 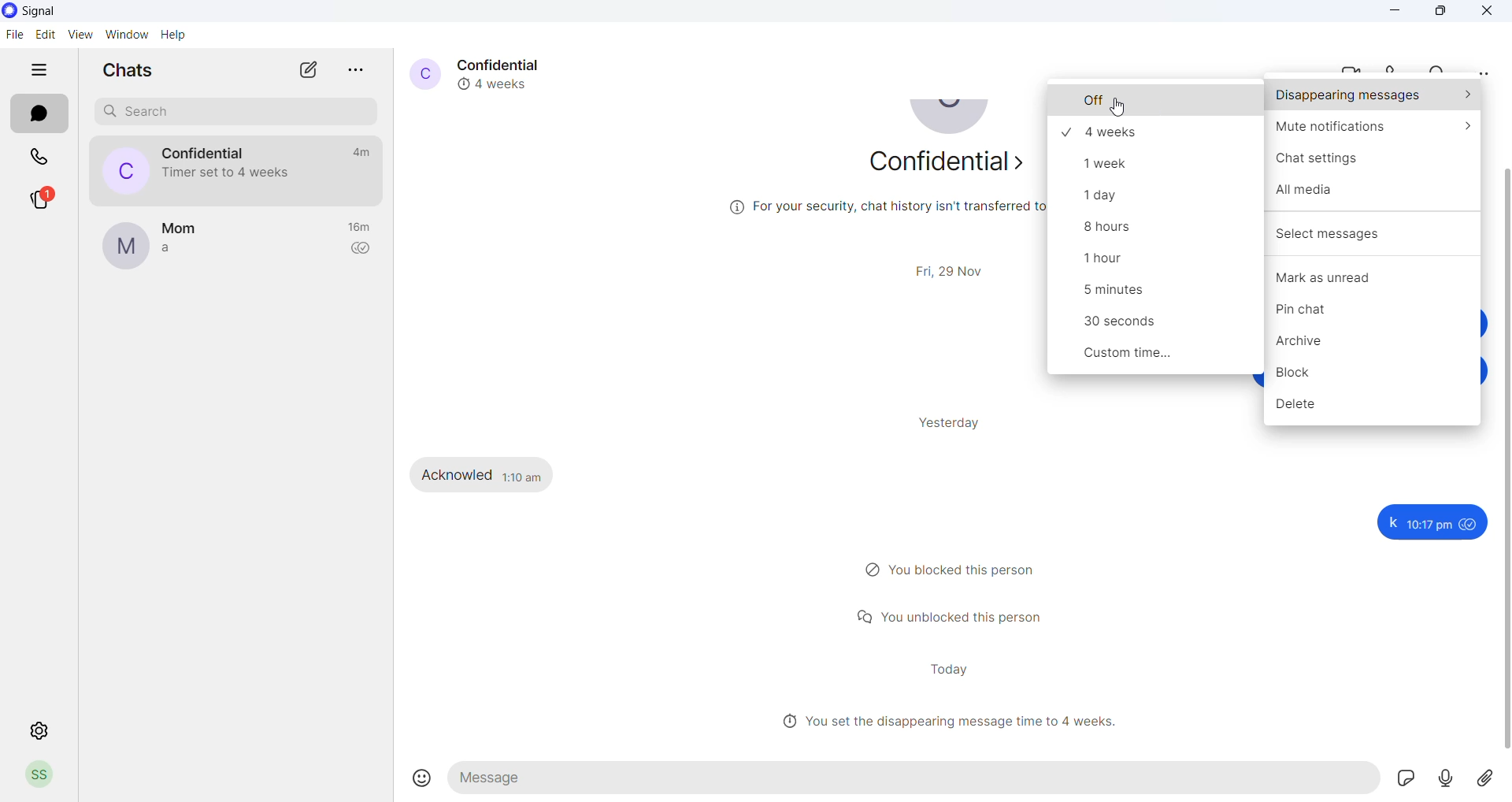 I want to click on more options, so click(x=1482, y=72).